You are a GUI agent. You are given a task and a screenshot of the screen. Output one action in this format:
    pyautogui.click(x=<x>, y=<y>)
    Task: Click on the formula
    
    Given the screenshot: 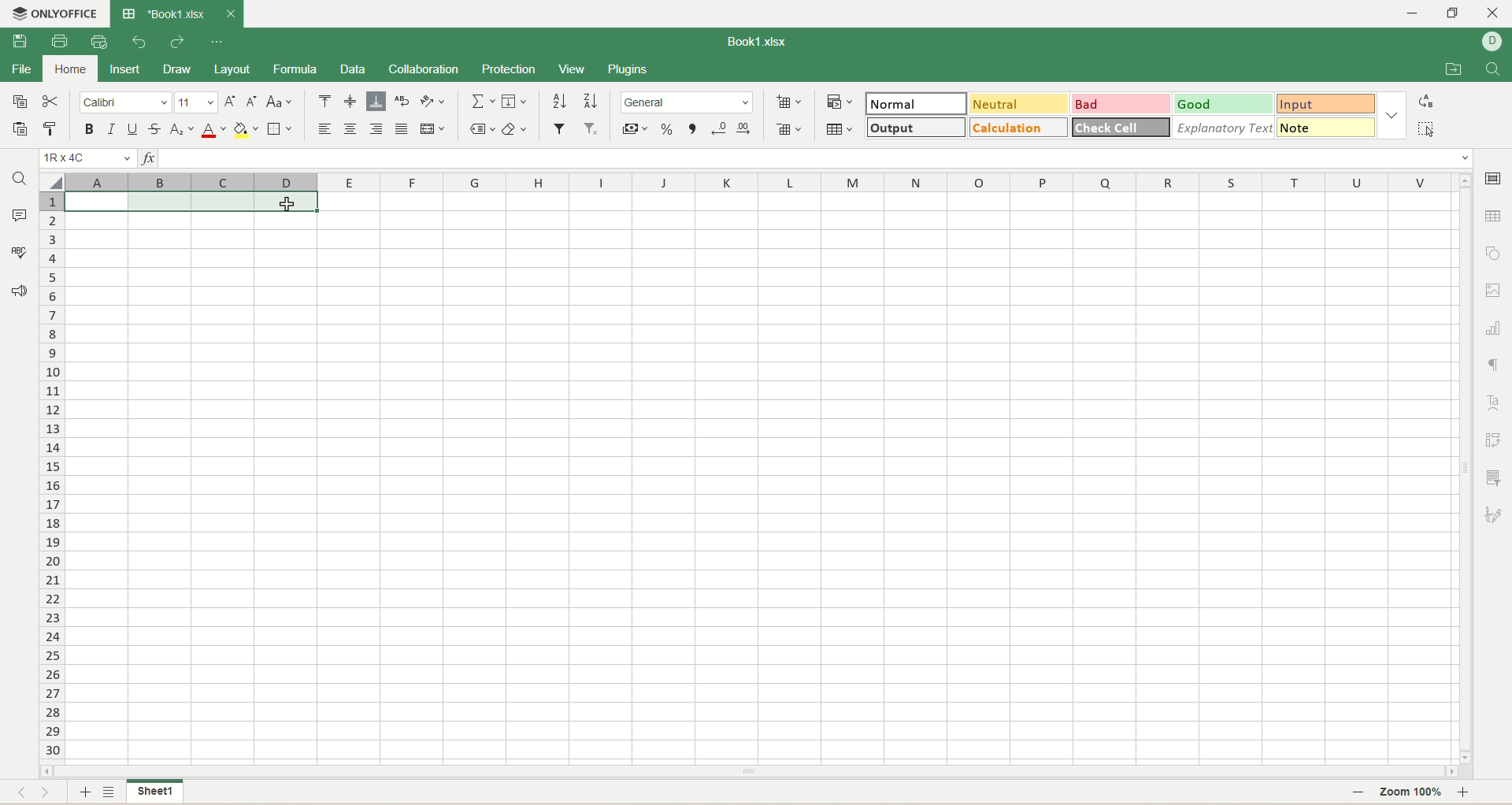 What is the action you would take?
    pyautogui.click(x=295, y=69)
    